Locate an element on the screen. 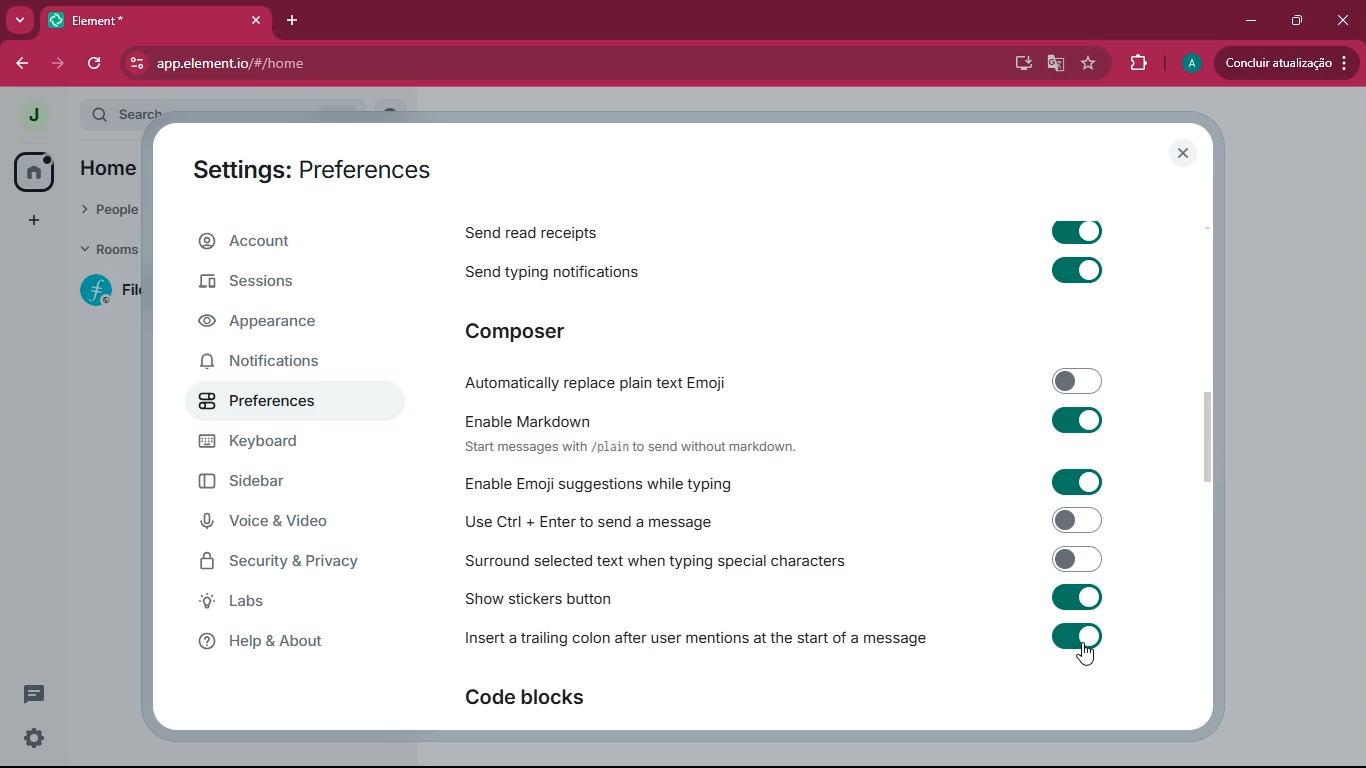 This screenshot has height=768, width=1366. Enable Emoji suggestions while typing is located at coordinates (789, 482).